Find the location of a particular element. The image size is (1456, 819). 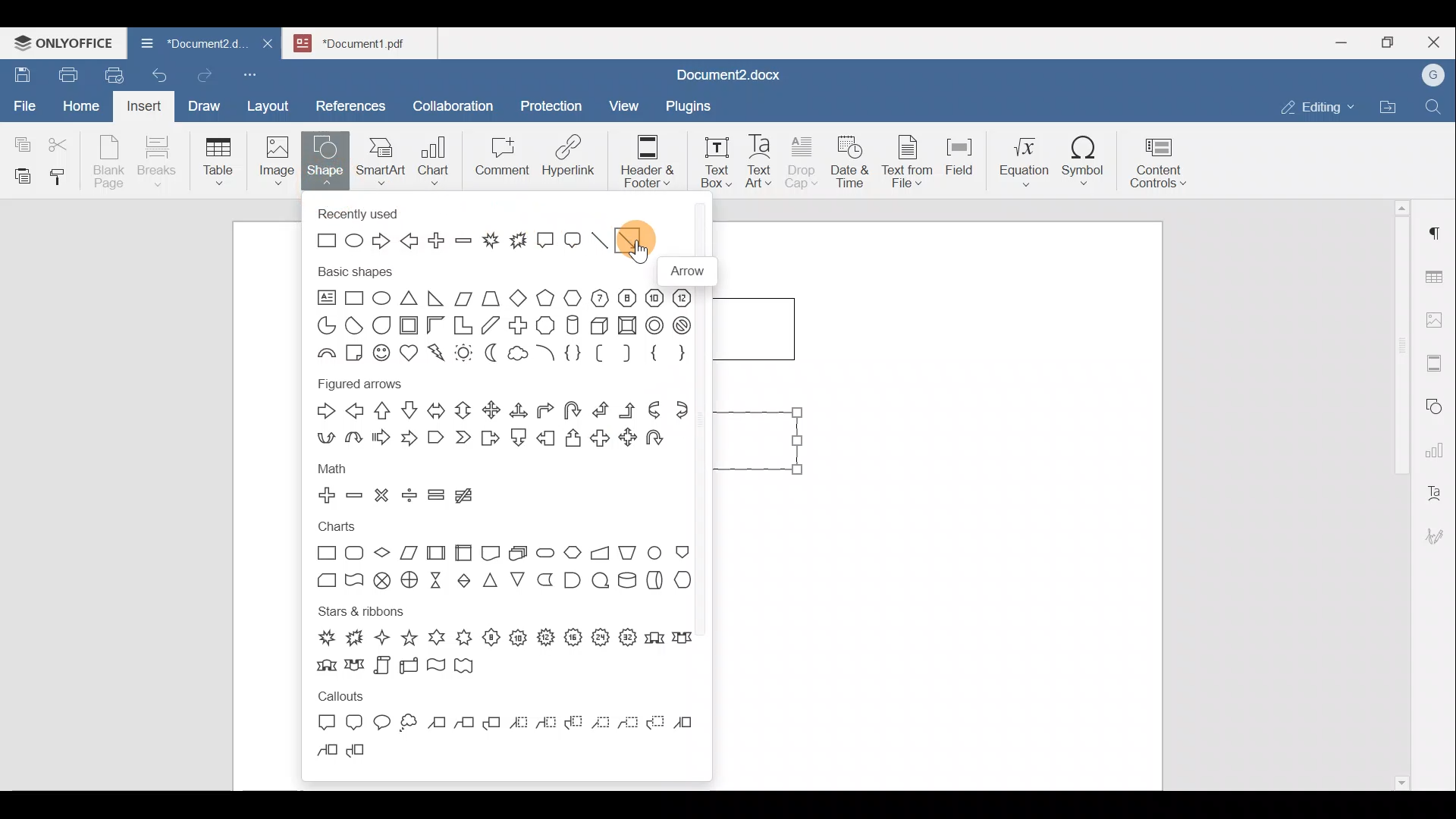

References is located at coordinates (350, 104).